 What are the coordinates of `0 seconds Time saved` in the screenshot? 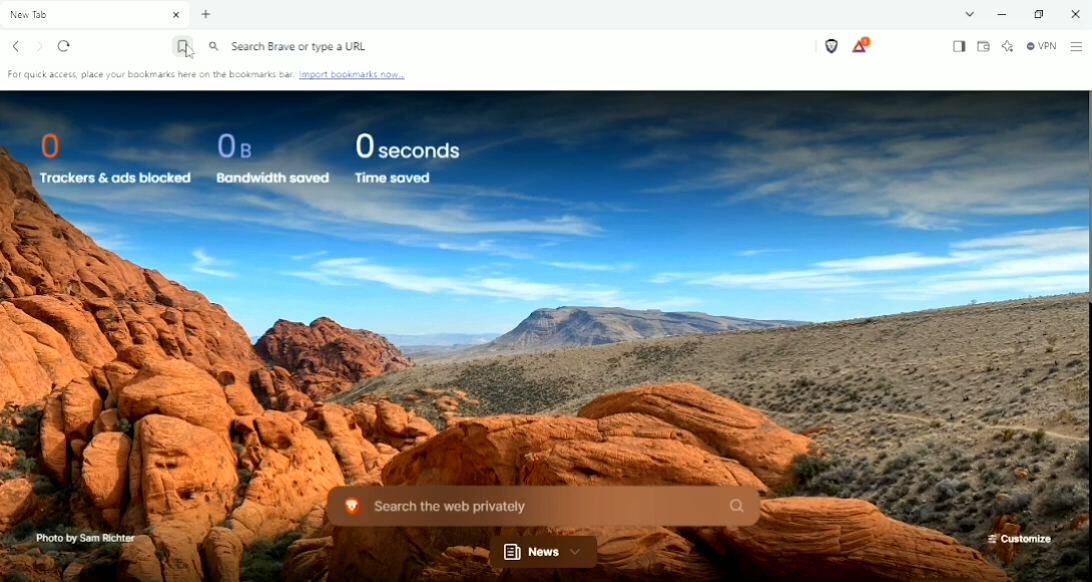 It's located at (407, 159).